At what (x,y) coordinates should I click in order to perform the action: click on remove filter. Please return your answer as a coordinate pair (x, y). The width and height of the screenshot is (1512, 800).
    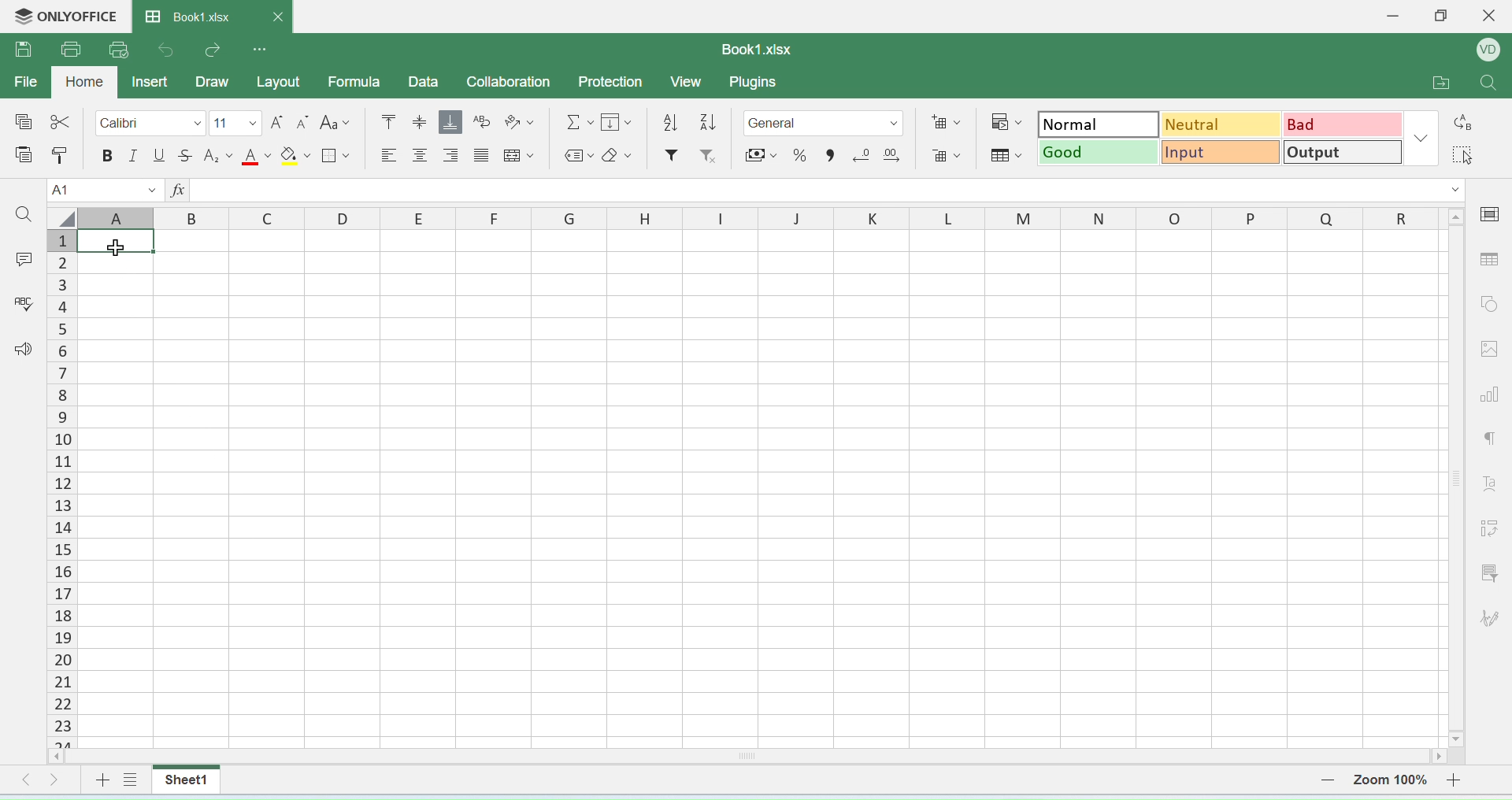
    Looking at the image, I should click on (710, 154).